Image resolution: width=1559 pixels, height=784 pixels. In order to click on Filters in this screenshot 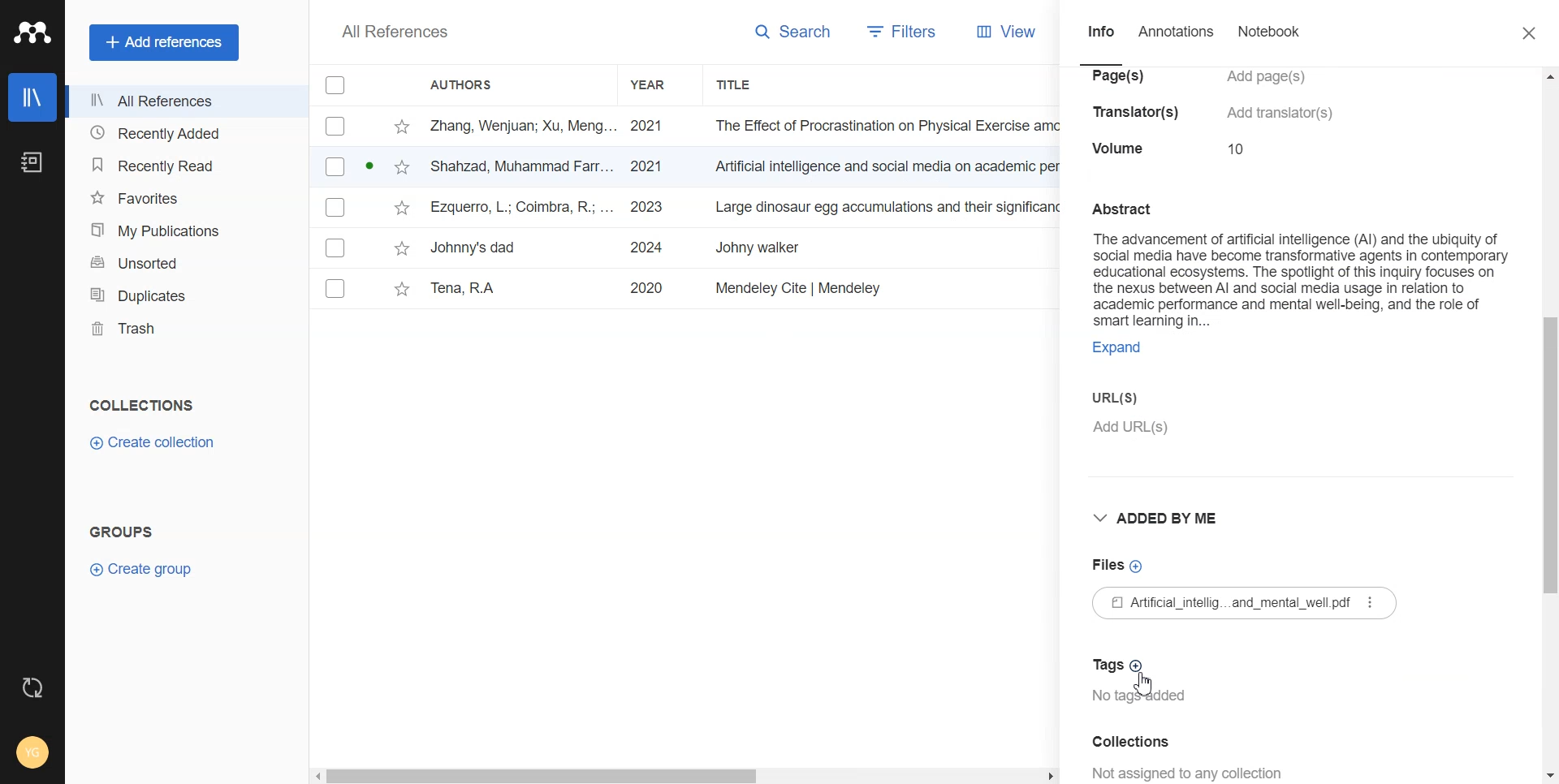, I will do `click(896, 33)`.